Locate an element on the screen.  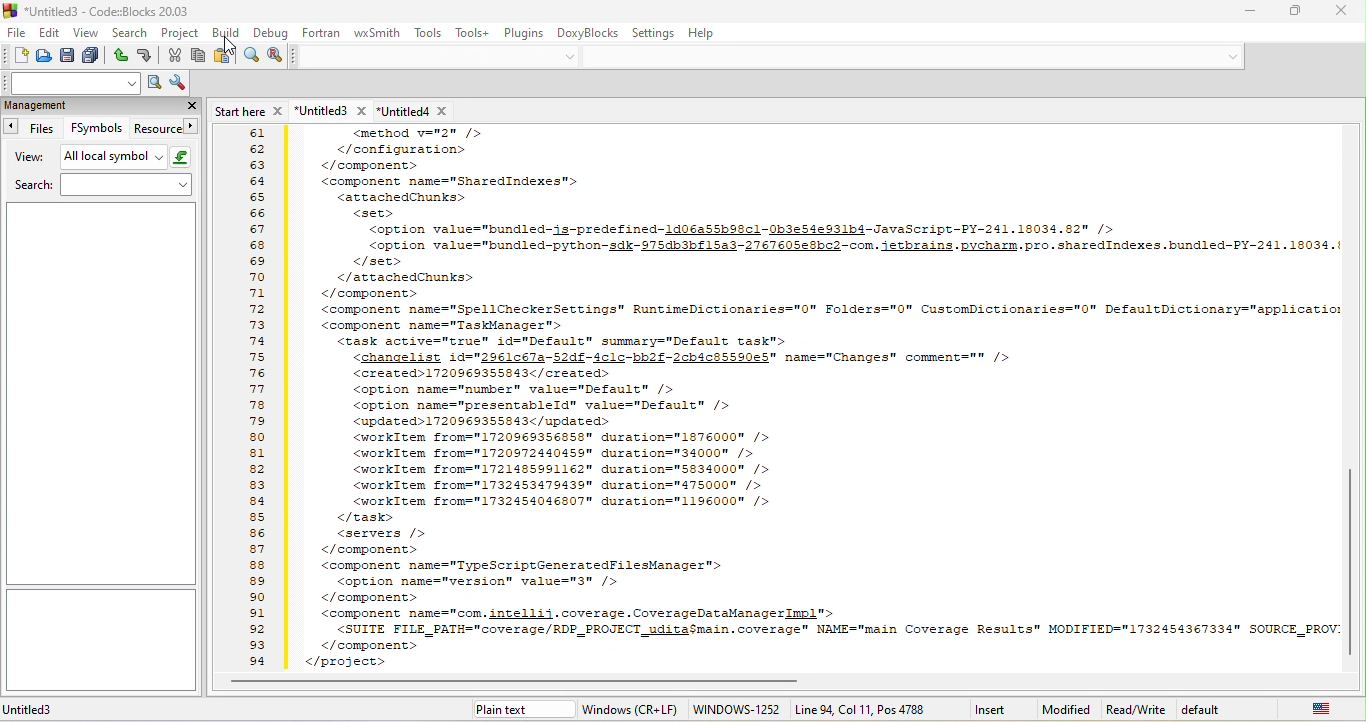
new is located at coordinates (16, 55).